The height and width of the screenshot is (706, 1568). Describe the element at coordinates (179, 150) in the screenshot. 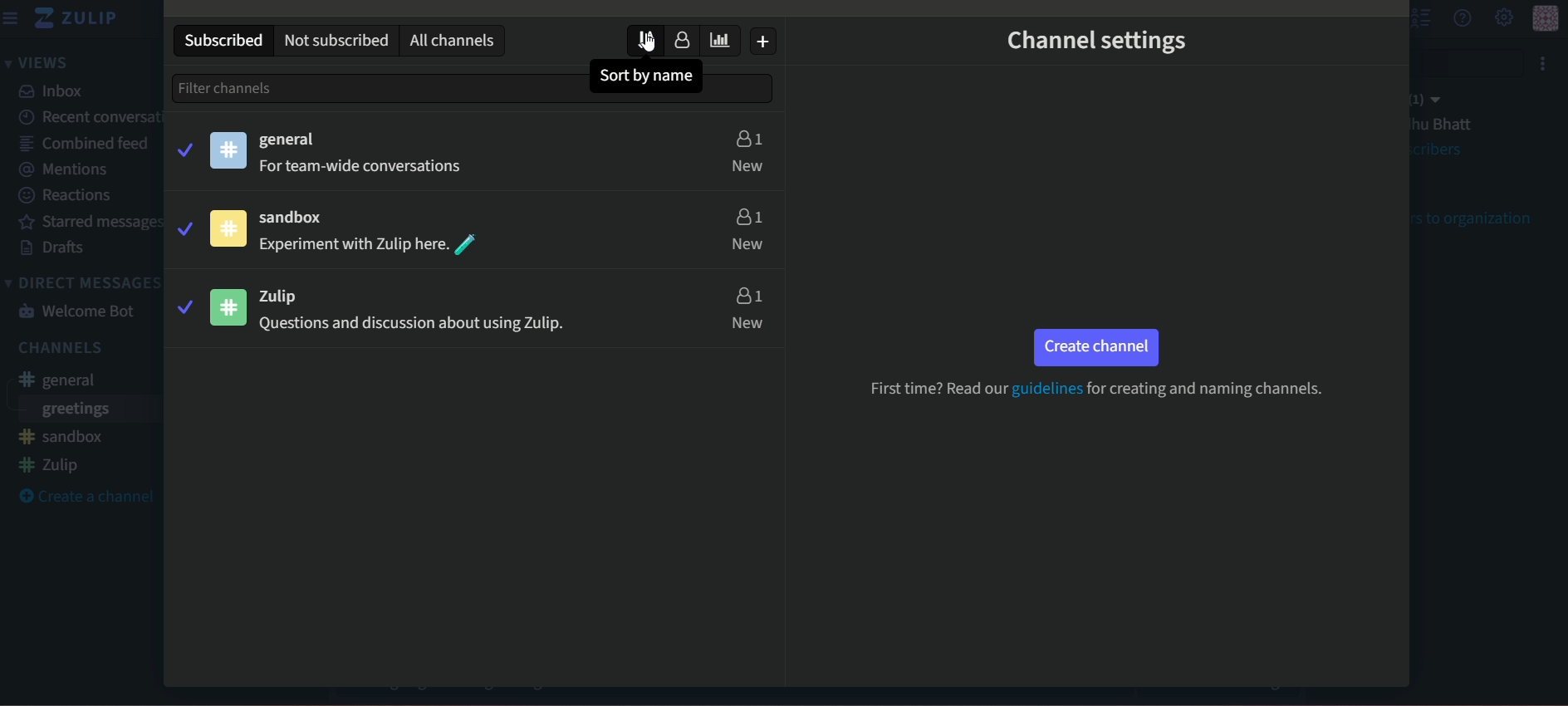

I see `tick` at that location.